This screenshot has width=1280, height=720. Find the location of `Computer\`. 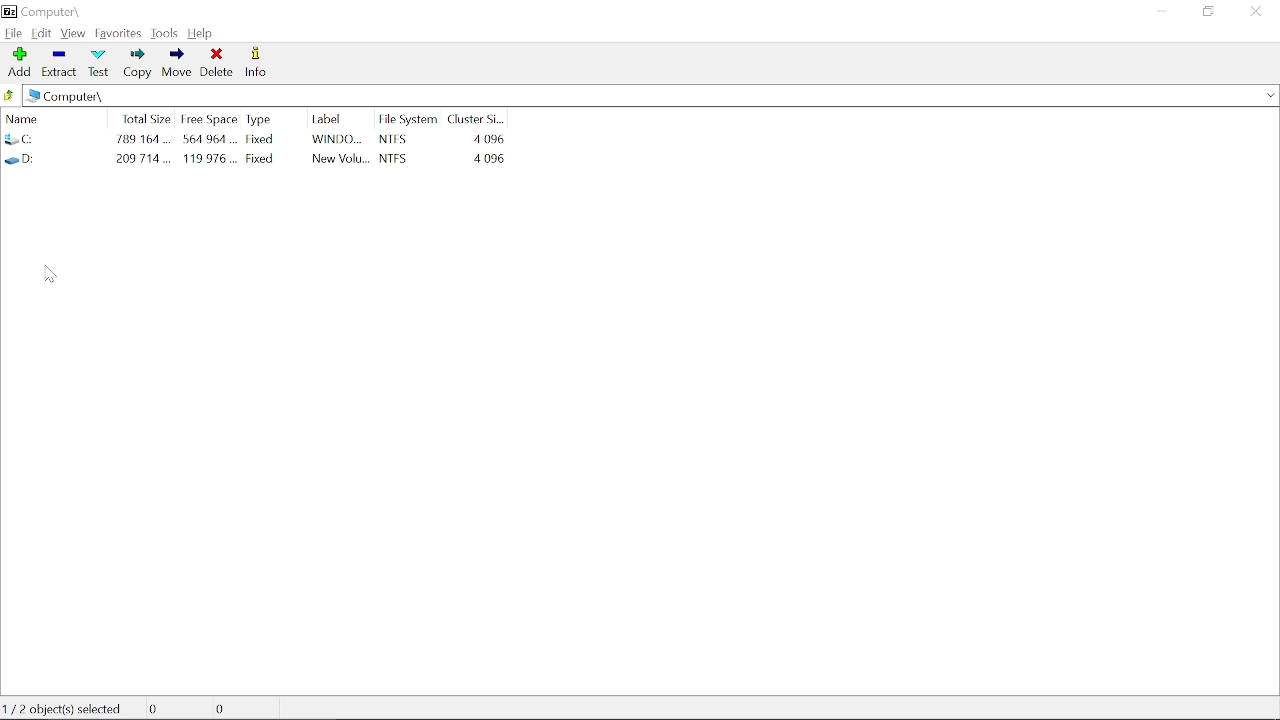

Computer\ is located at coordinates (53, 11).